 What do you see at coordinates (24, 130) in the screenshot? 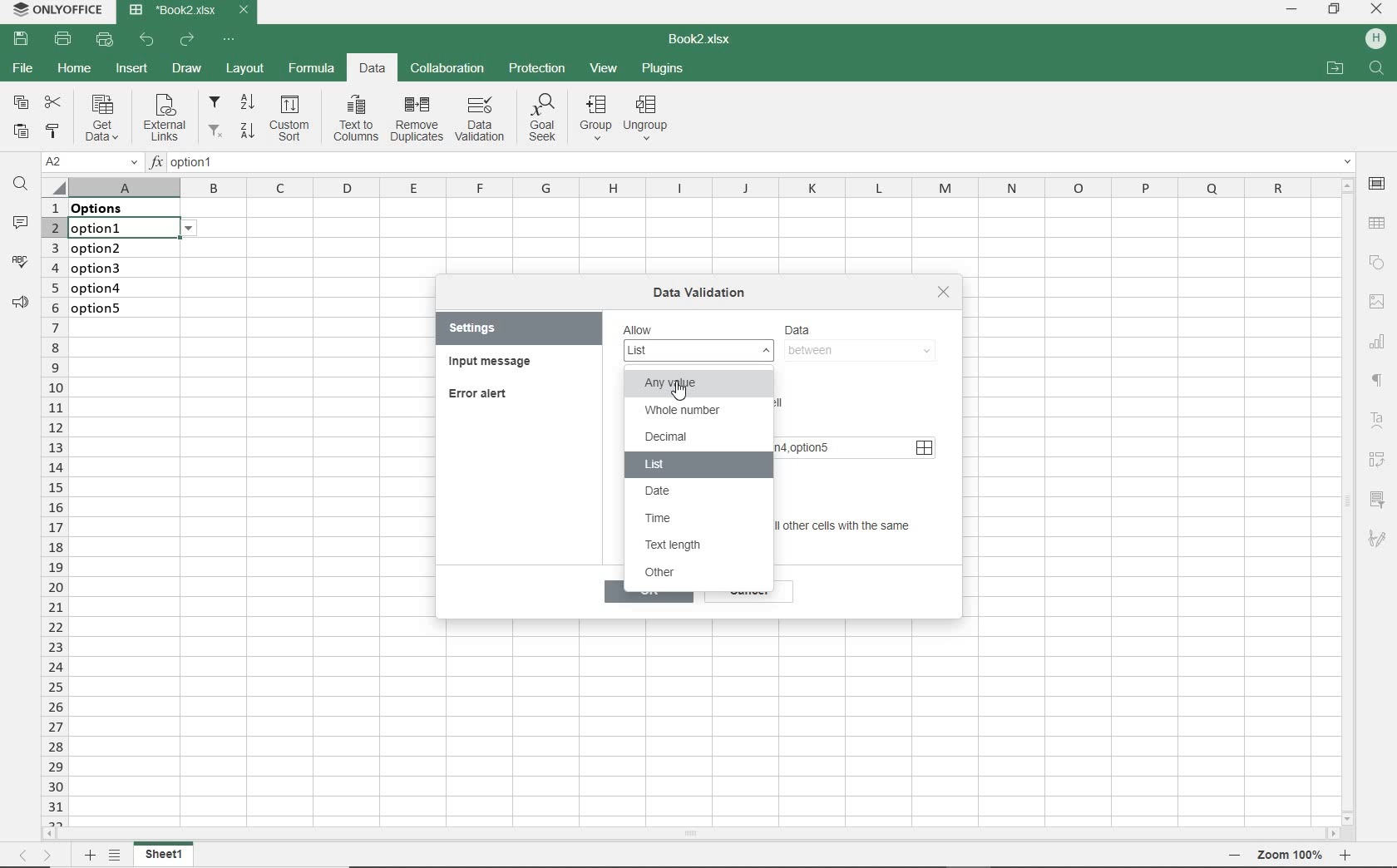
I see `PASTE` at bounding box center [24, 130].